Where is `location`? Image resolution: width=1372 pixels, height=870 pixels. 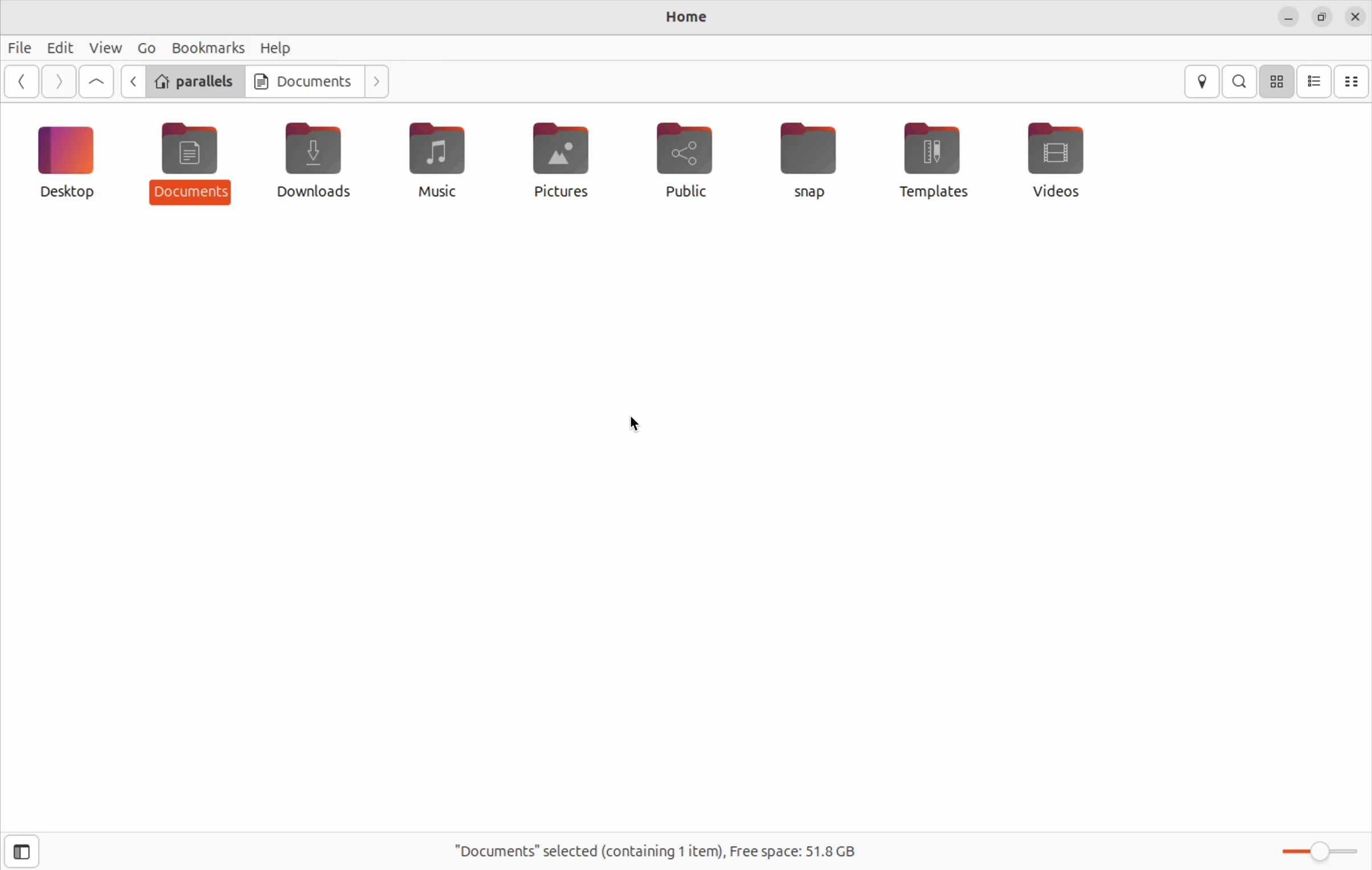
location is located at coordinates (1203, 81).